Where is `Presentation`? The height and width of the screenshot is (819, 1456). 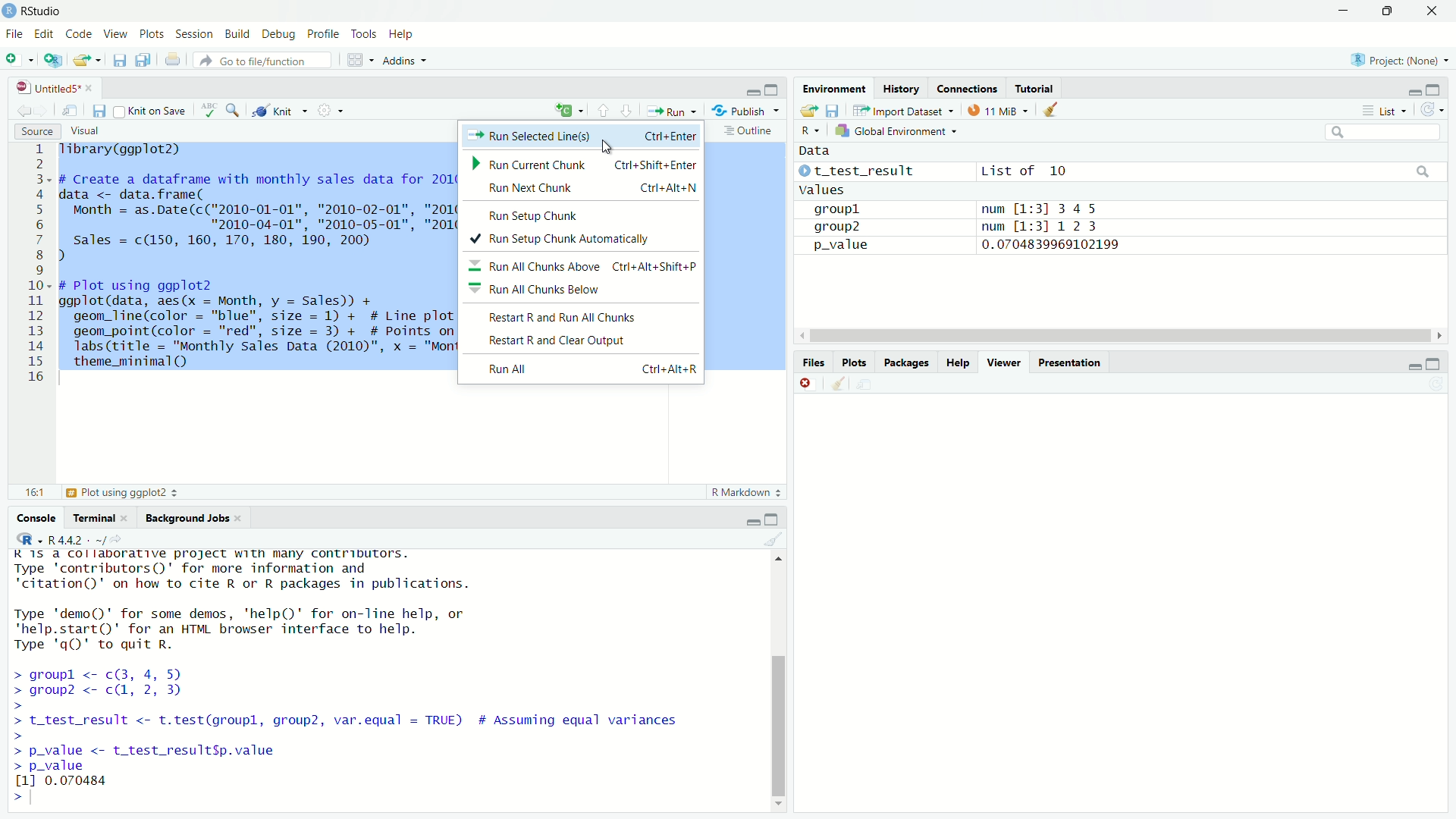 Presentation is located at coordinates (1071, 361).